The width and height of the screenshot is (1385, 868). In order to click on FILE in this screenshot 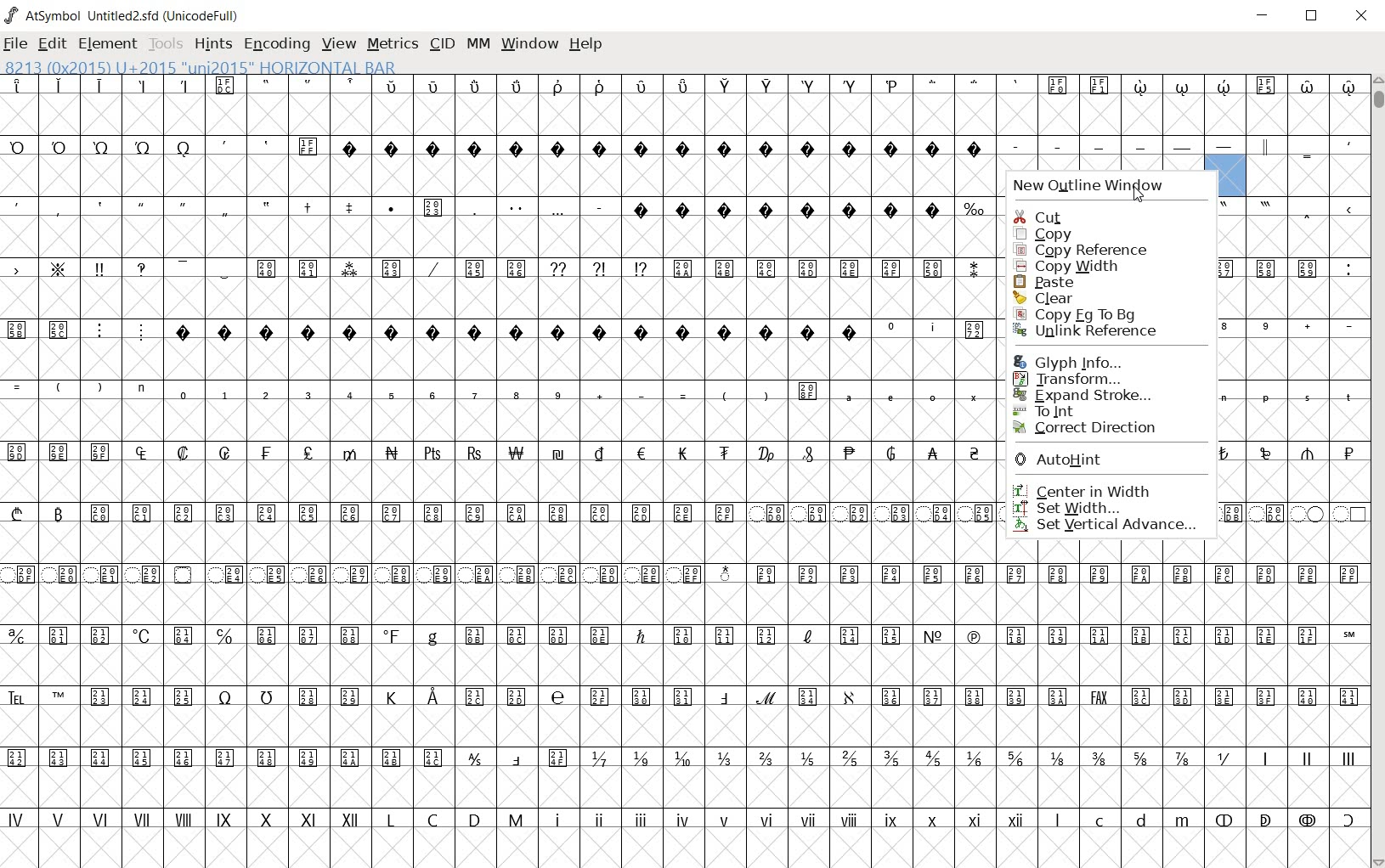, I will do `click(18, 42)`.